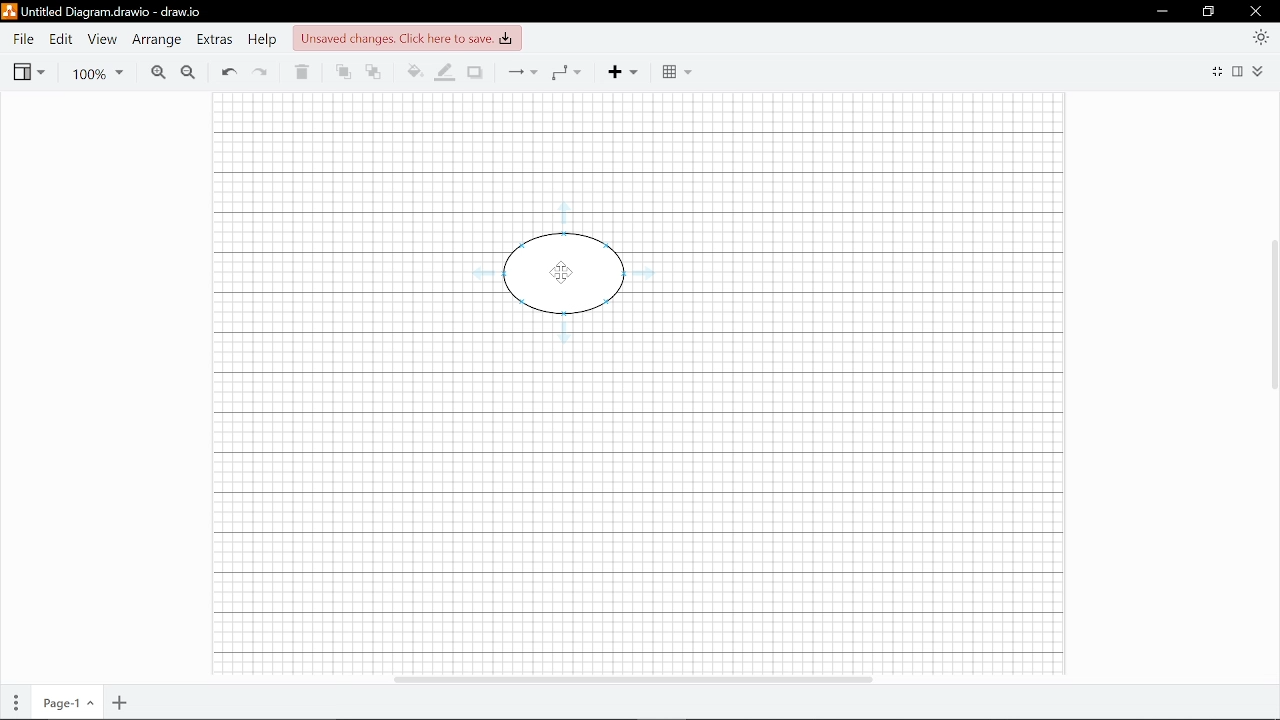  Describe the element at coordinates (228, 73) in the screenshot. I see `Undo` at that location.